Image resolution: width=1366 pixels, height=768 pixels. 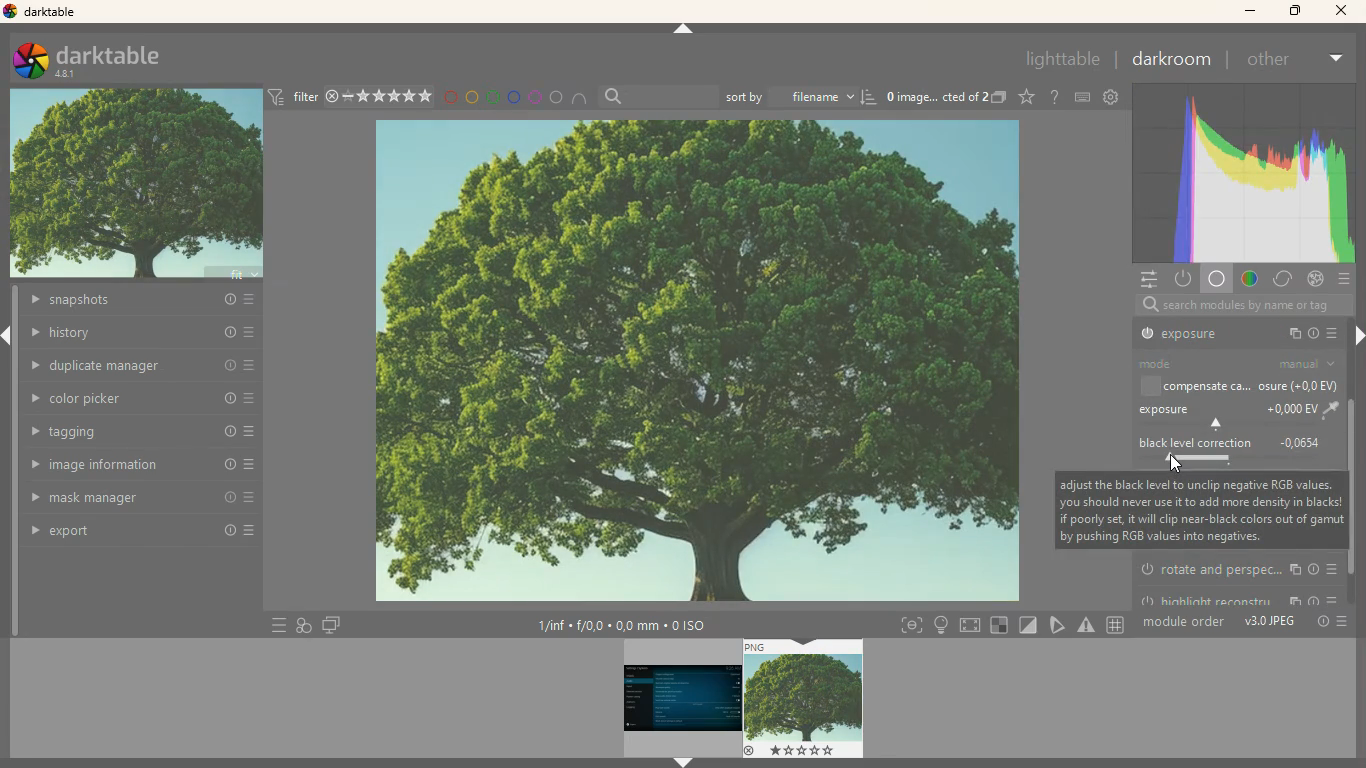 I want to click on v3.0 JPEG, so click(x=1270, y=624).